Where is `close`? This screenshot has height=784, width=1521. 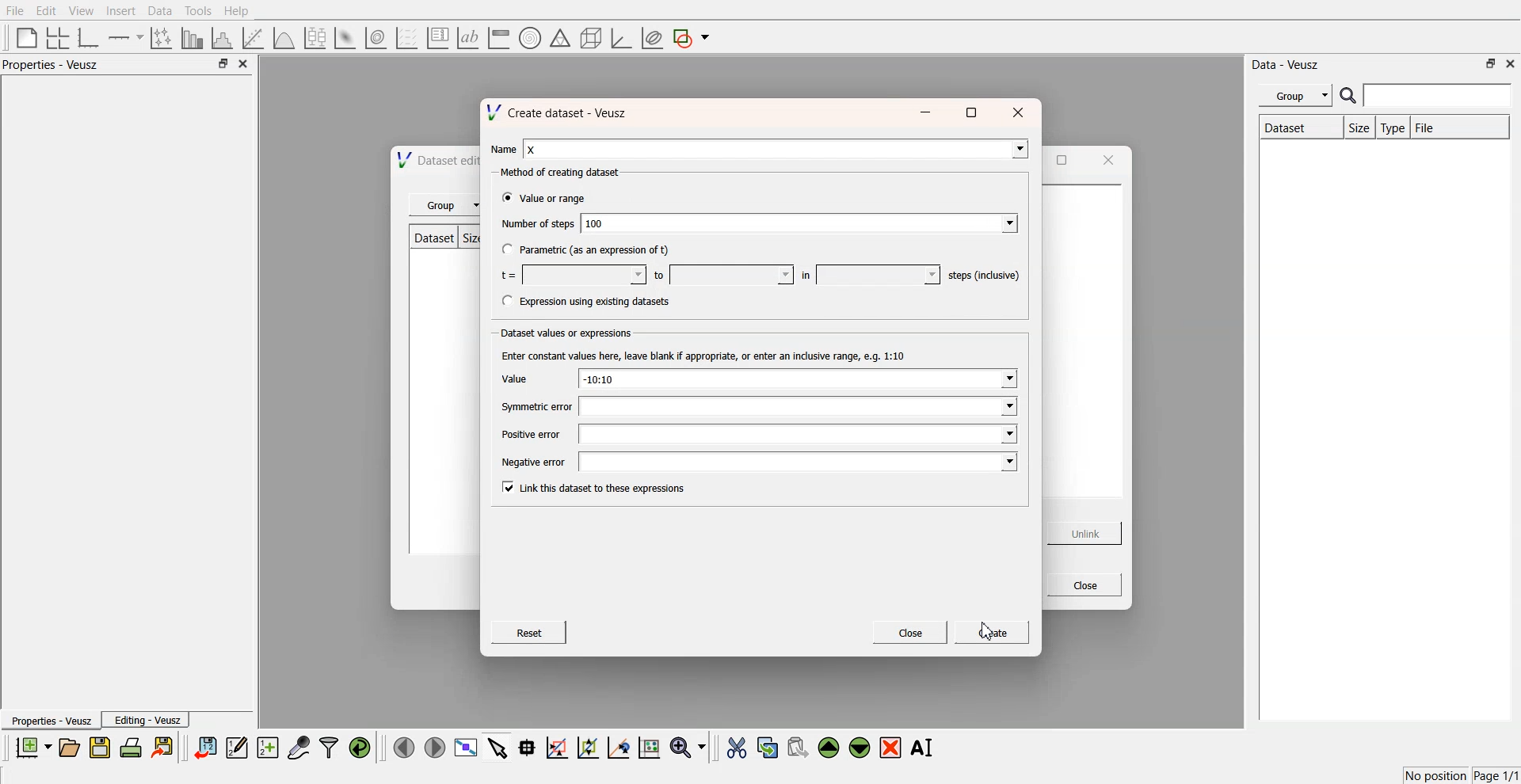
close is located at coordinates (1511, 63).